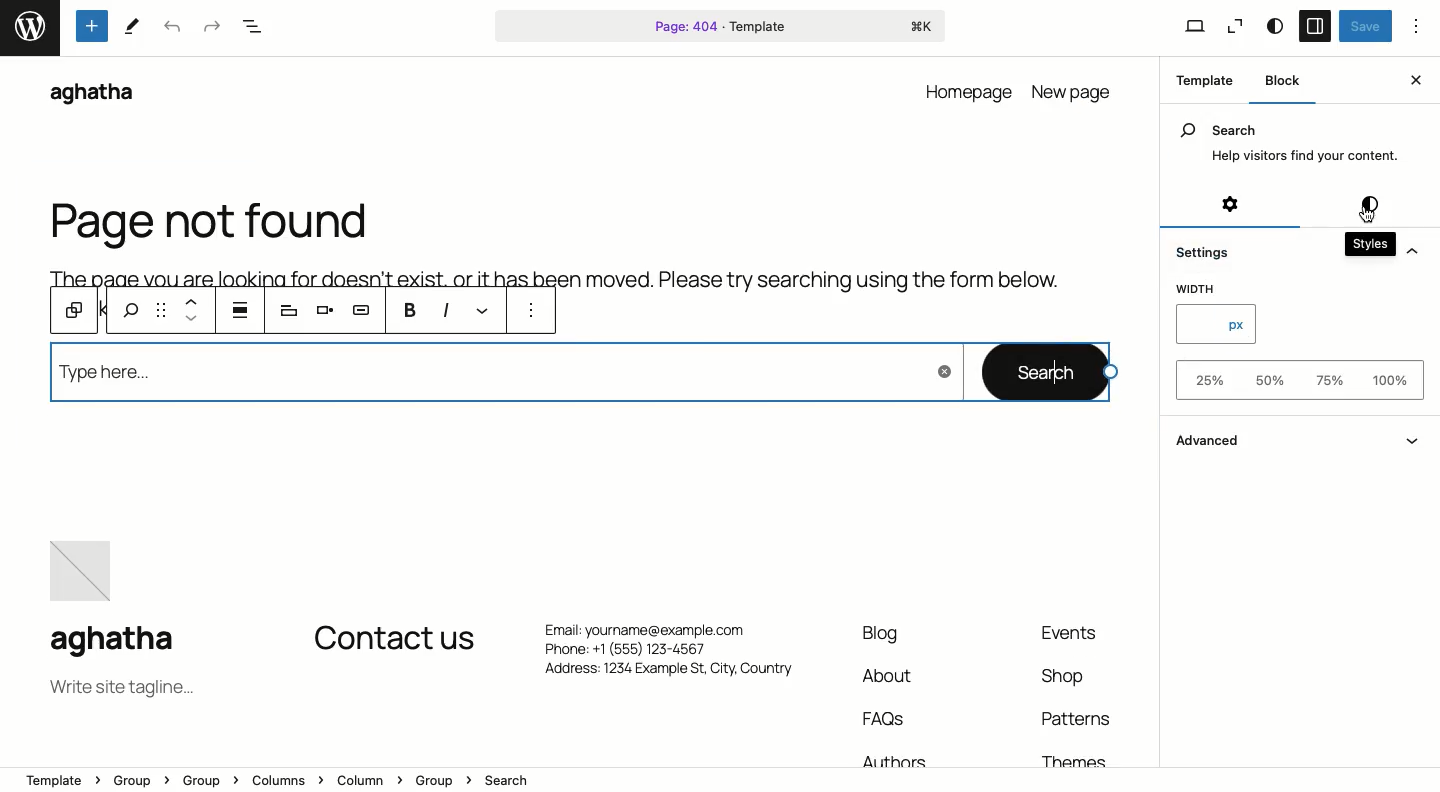 The width and height of the screenshot is (1440, 792). What do you see at coordinates (107, 312) in the screenshot?
I see `previous tools` at bounding box center [107, 312].